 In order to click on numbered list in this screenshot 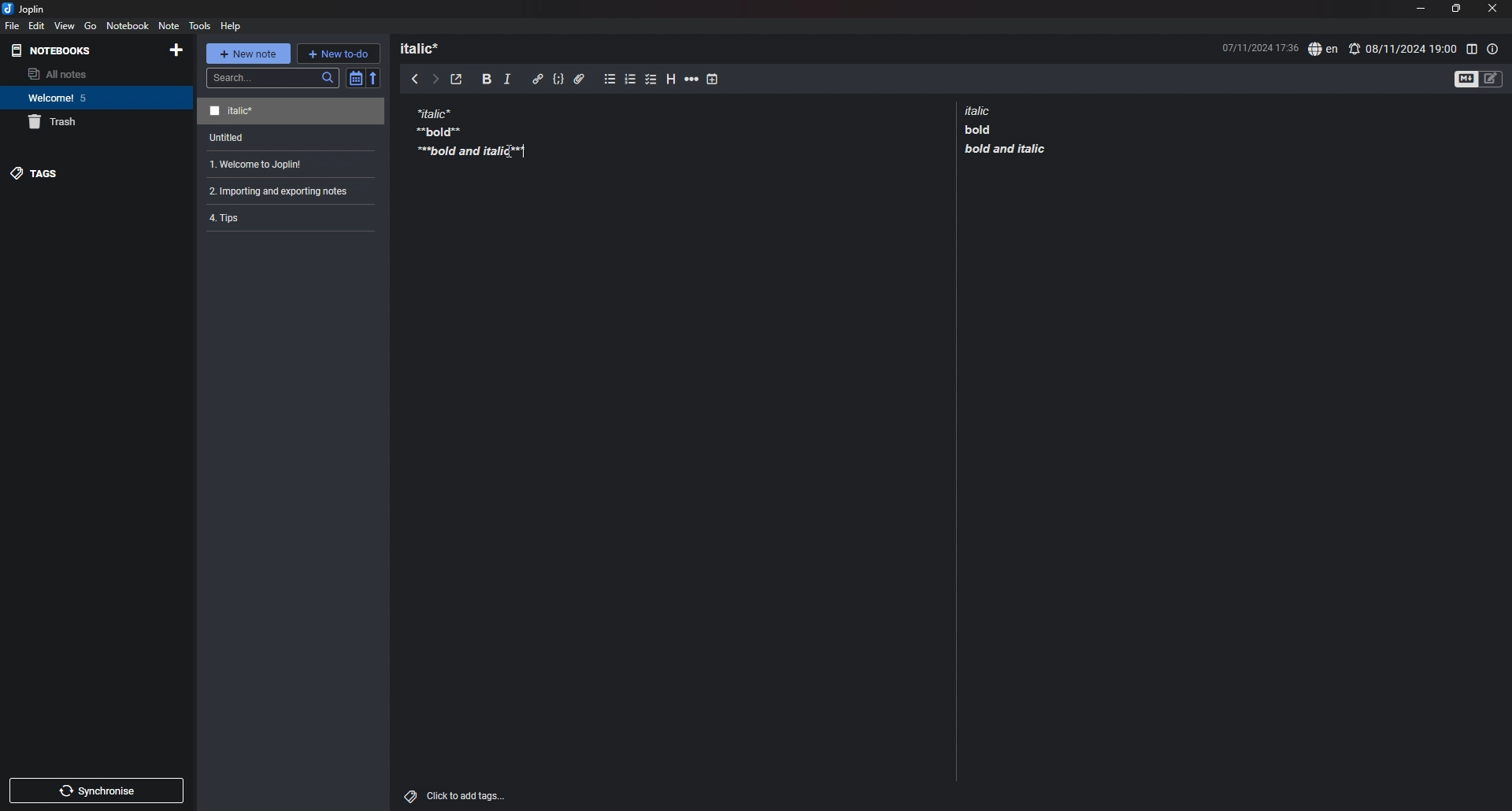, I will do `click(631, 81)`.